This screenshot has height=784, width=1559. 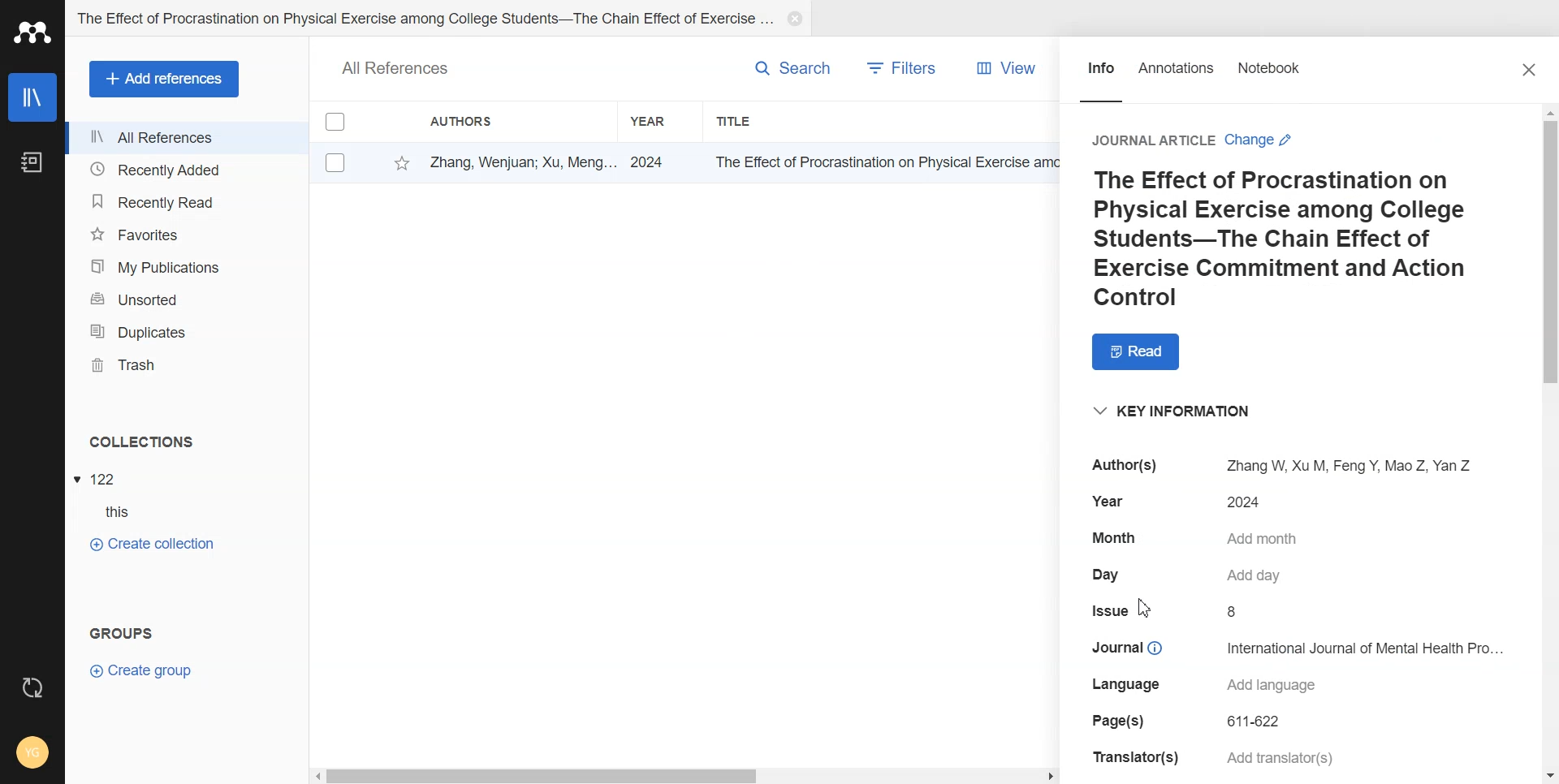 What do you see at coordinates (777, 68) in the screenshot?
I see `Search` at bounding box center [777, 68].